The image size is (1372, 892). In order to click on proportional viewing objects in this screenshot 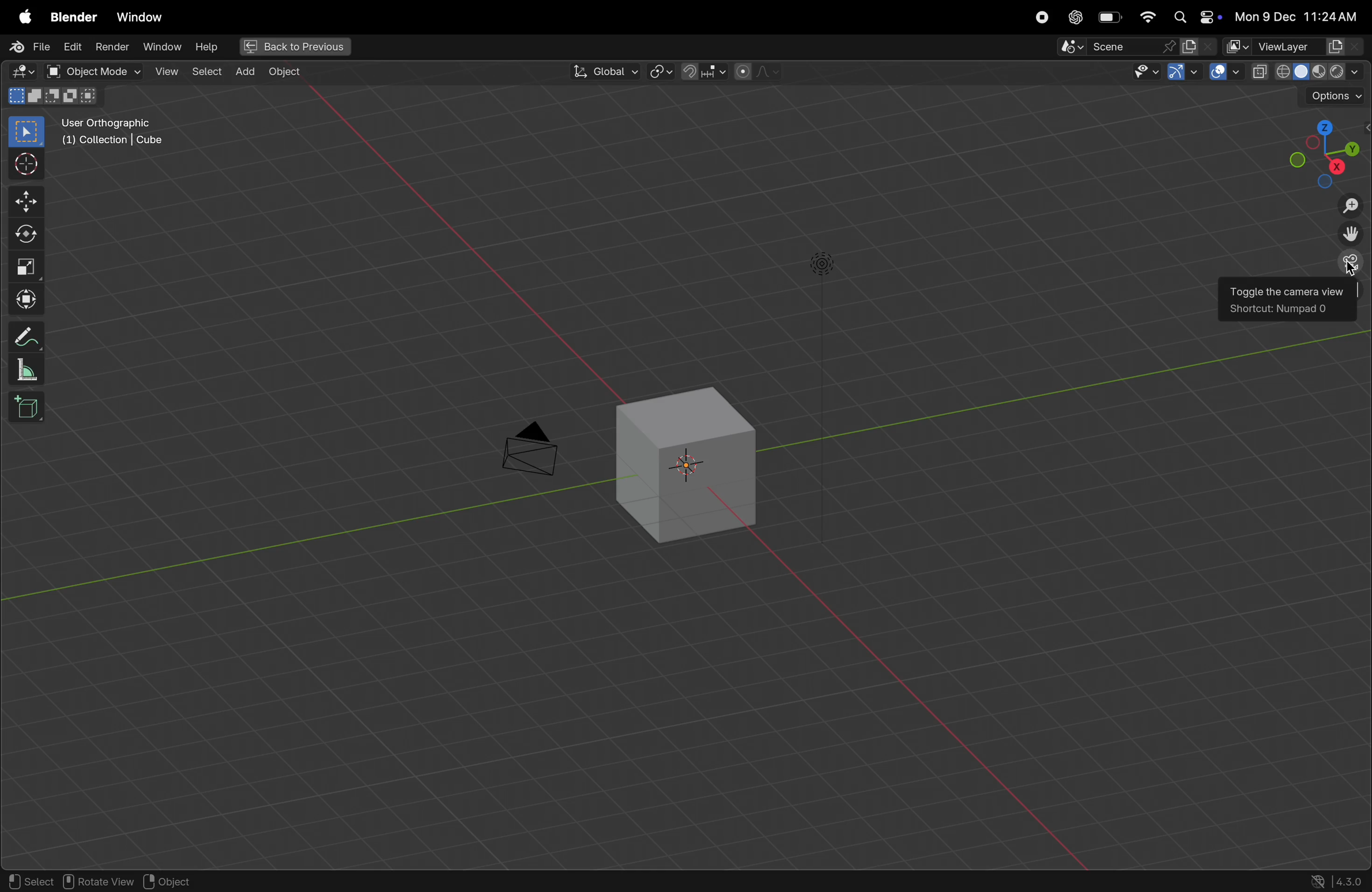, I will do `click(756, 74)`.